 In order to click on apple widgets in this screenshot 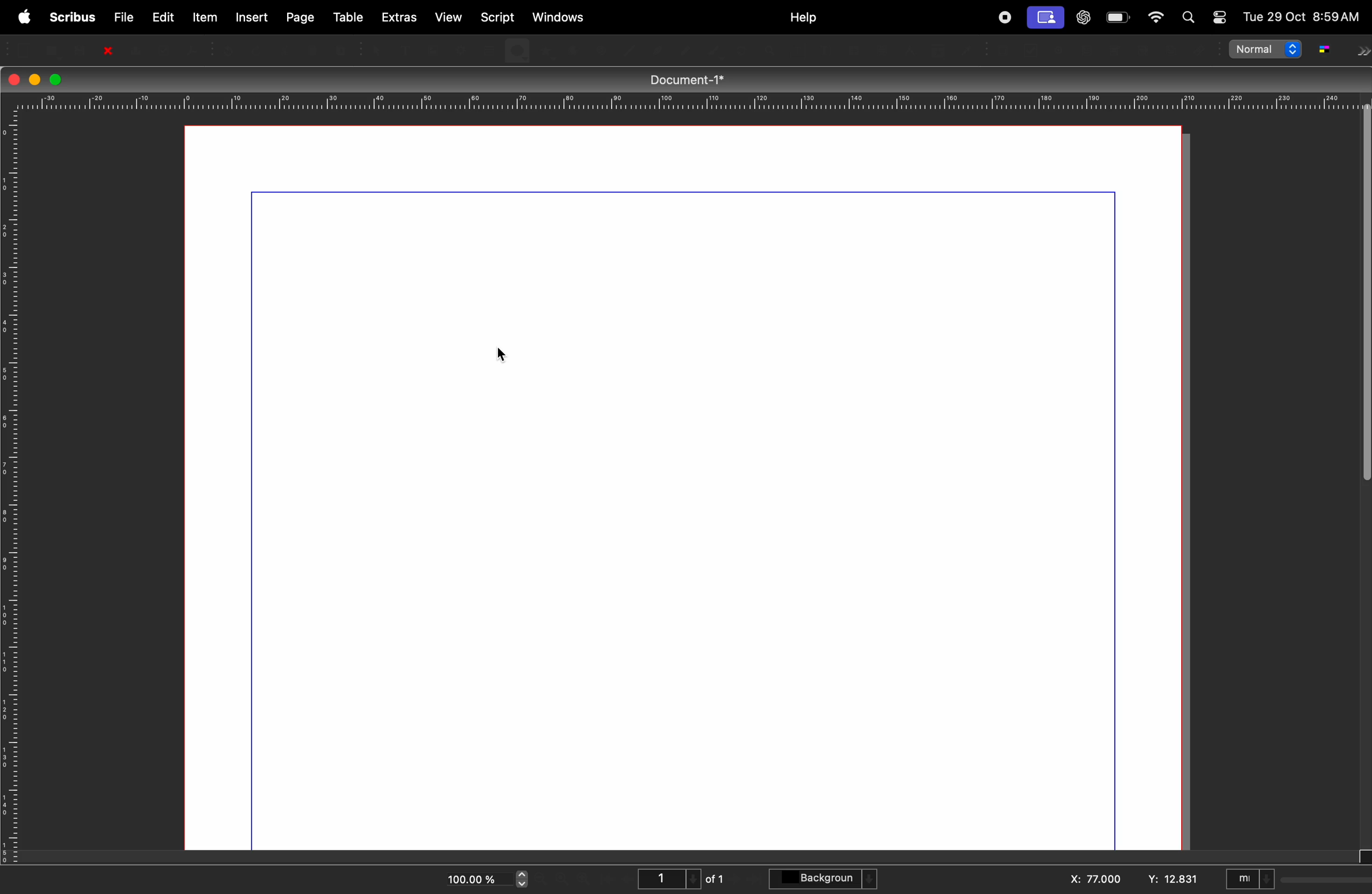, I will do `click(1155, 18)`.